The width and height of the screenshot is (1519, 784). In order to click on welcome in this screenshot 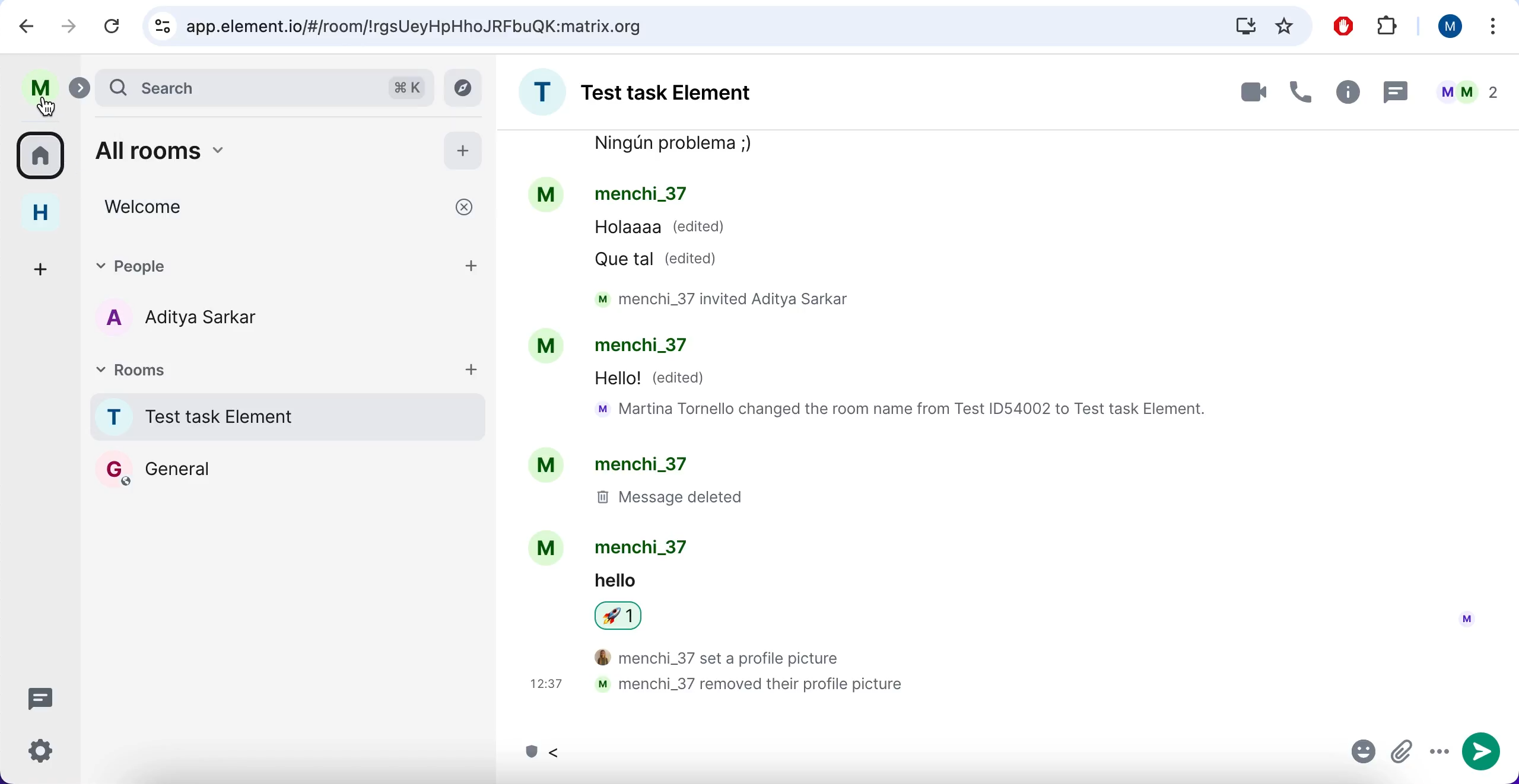, I will do `click(291, 209)`.